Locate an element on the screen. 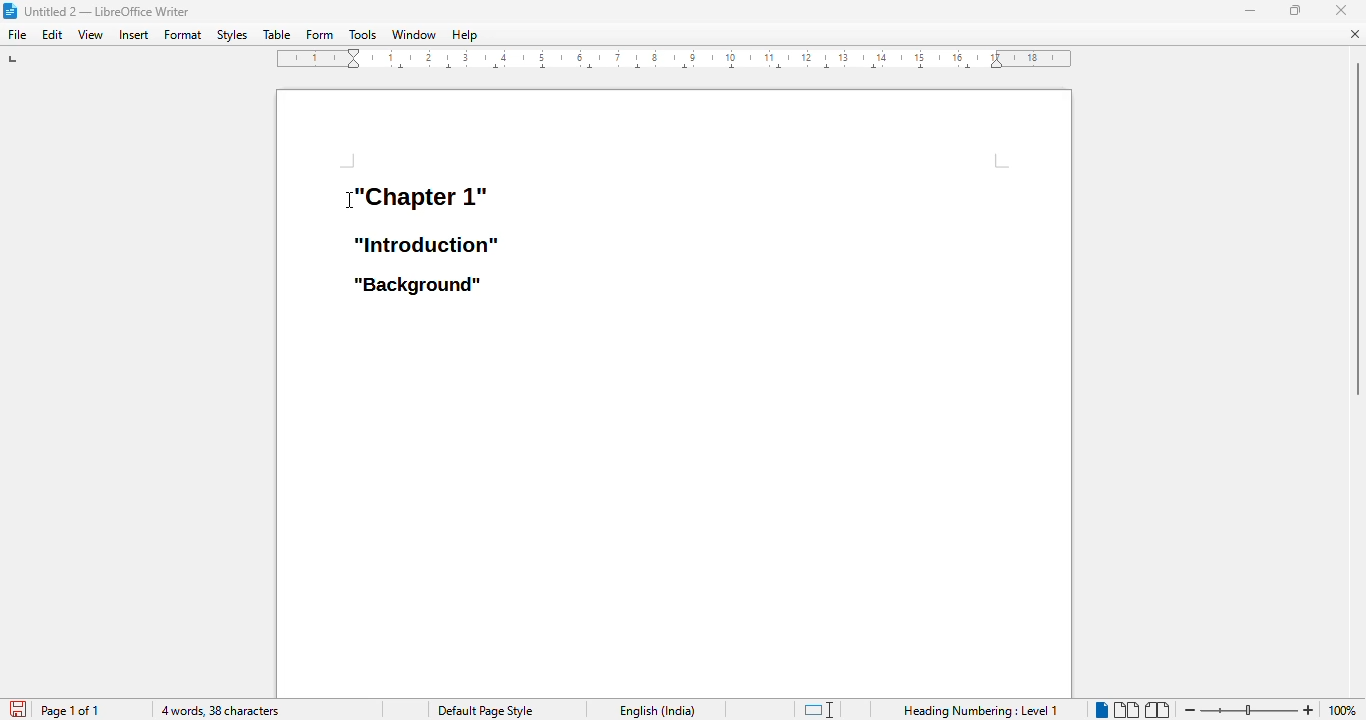 The width and height of the screenshot is (1366, 720). minimize is located at coordinates (1251, 11).